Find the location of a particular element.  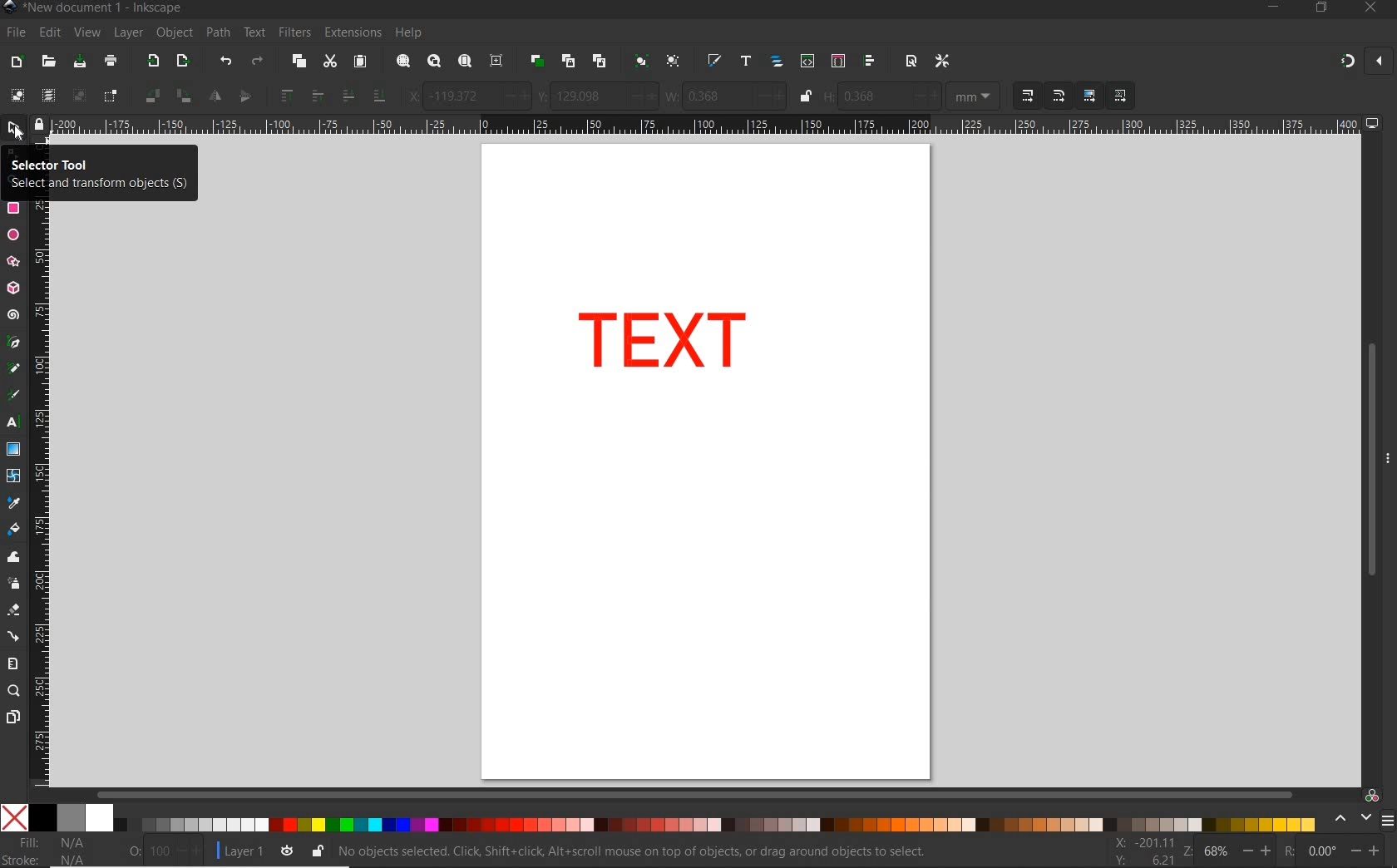

ZOOM PAGE is located at coordinates (464, 62).